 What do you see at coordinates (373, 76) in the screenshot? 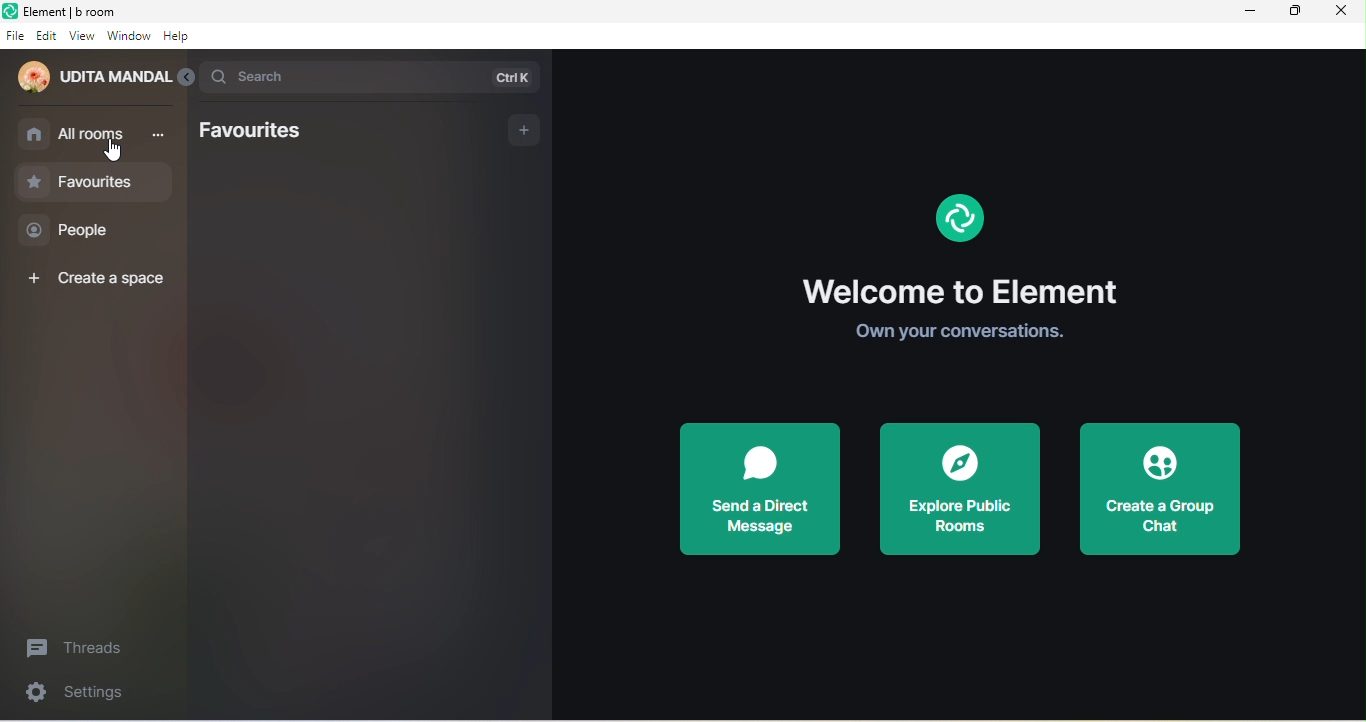
I see `search` at bounding box center [373, 76].